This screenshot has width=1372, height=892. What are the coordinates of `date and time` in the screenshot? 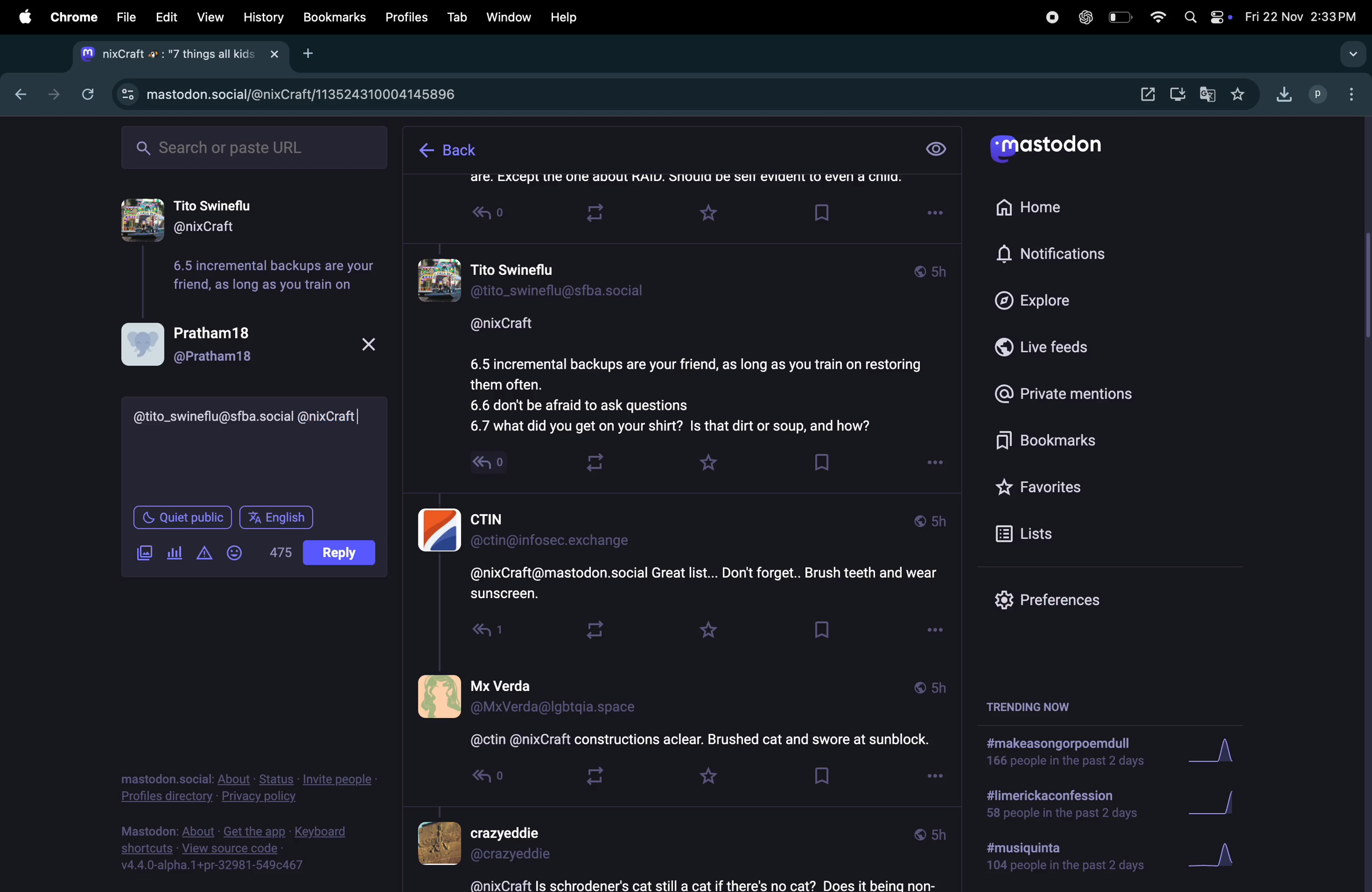 It's located at (1304, 14).